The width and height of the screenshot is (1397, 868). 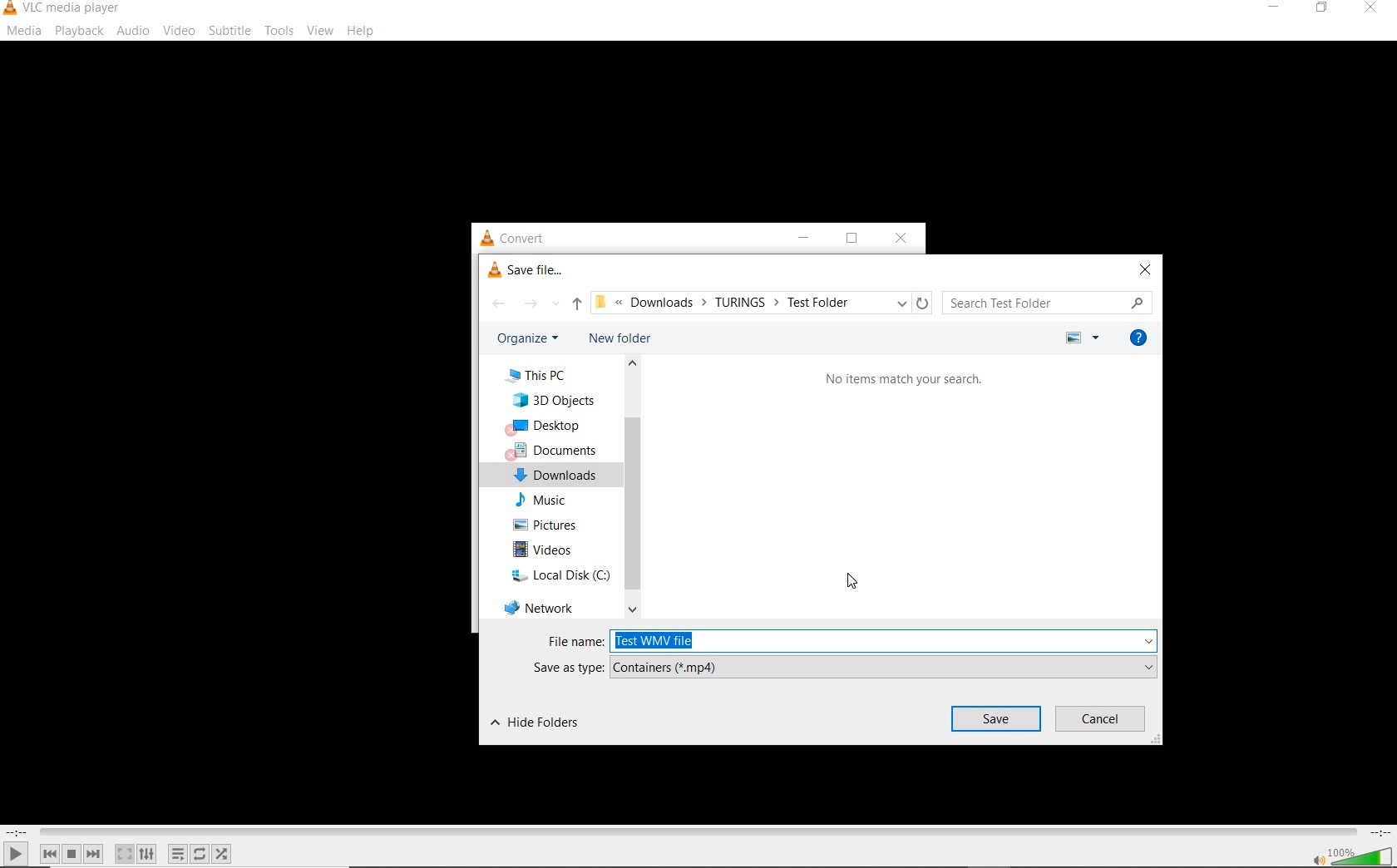 What do you see at coordinates (541, 376) in the screenshot?
I see `This PC` at bounding box center [541, 376].